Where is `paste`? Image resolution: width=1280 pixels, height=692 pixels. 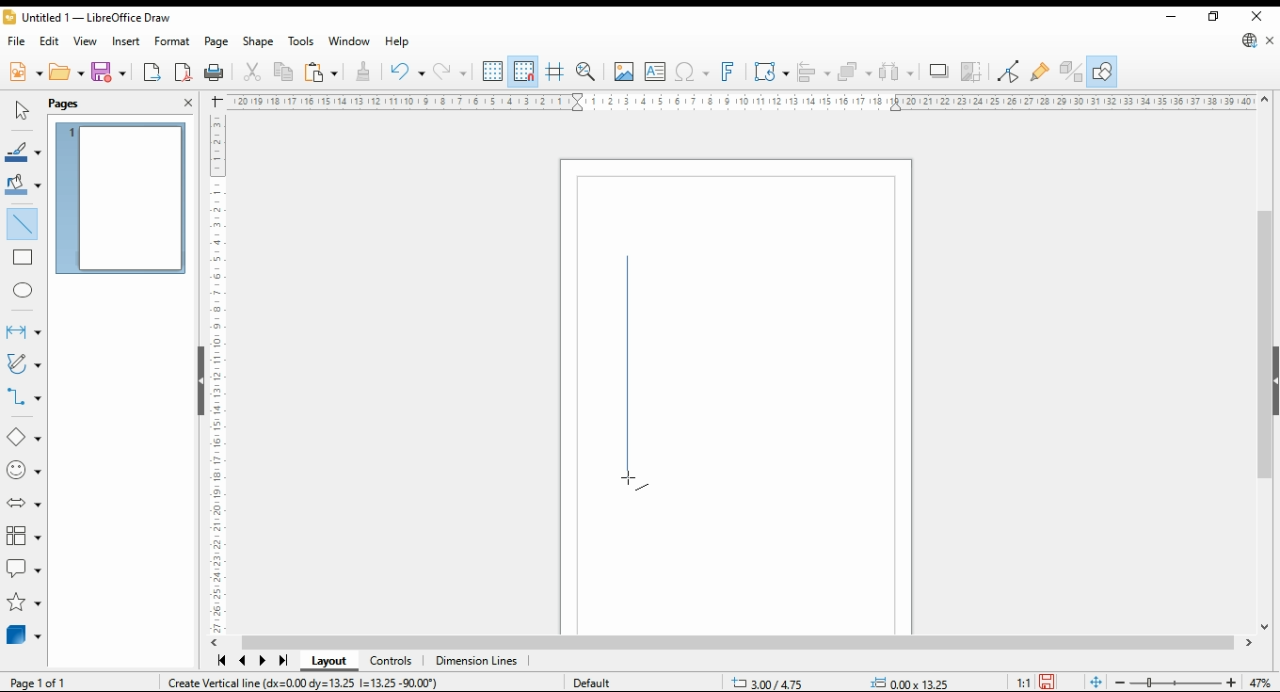
paste is located at coordinates (319, 72).